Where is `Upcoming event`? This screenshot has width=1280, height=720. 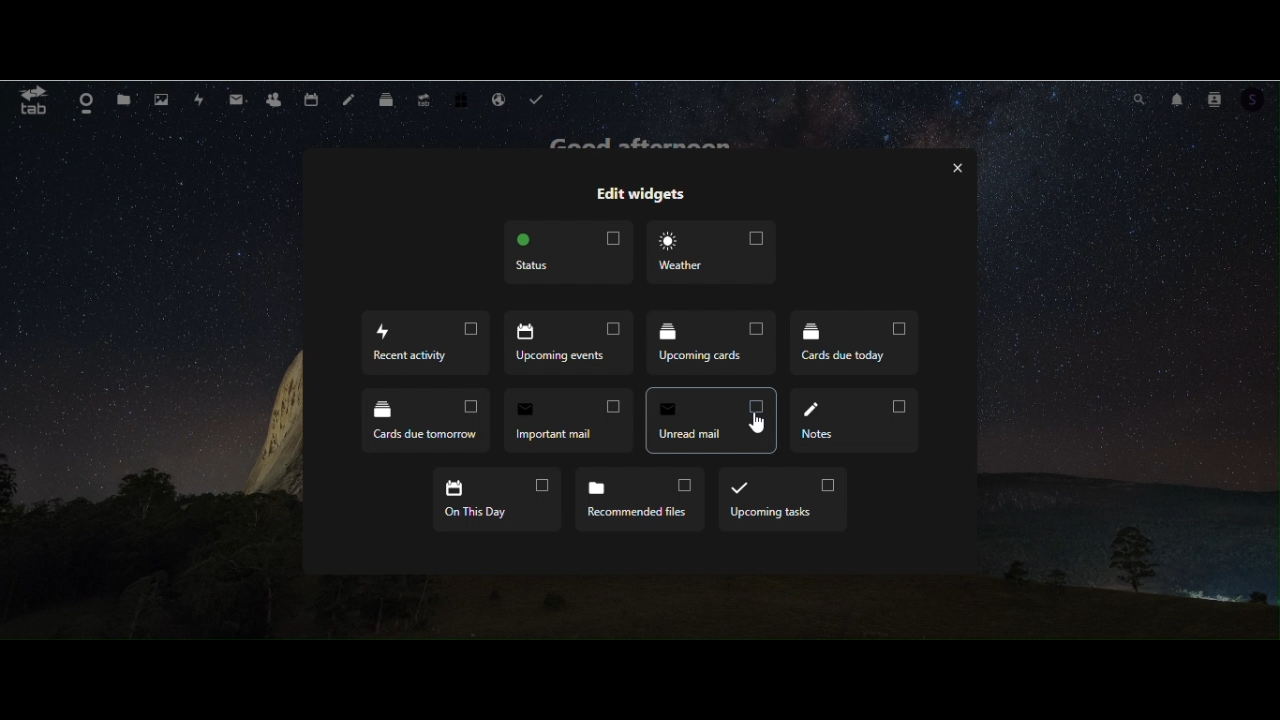
Upcoming event is located at coordinates (568, 342).